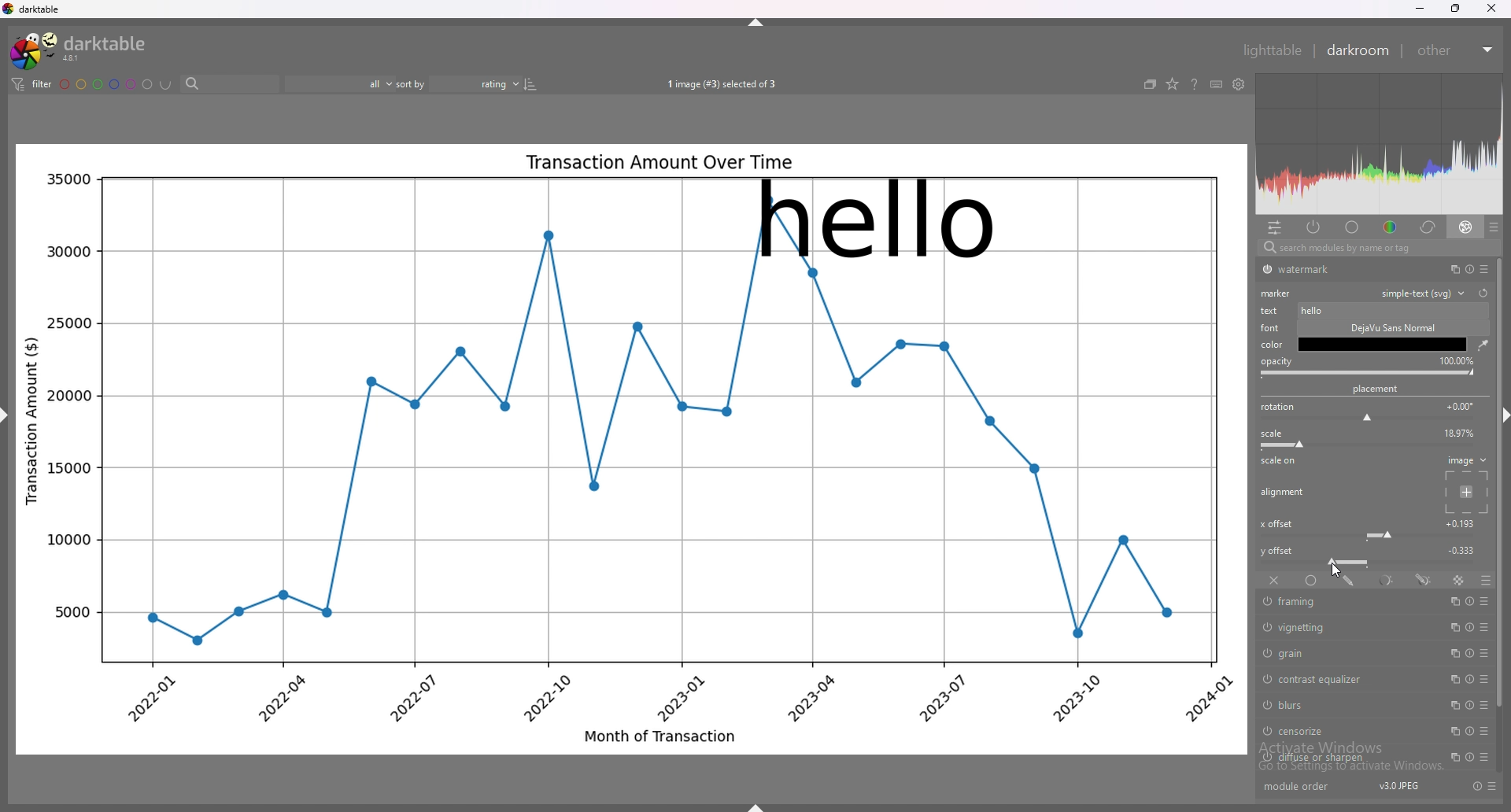 The height and width of the screenshot is (812, 1511). What do you see at coordinates (1454, 654) in the screenshot?
I see `multiple instances action` at bounding box center [1454, 654].